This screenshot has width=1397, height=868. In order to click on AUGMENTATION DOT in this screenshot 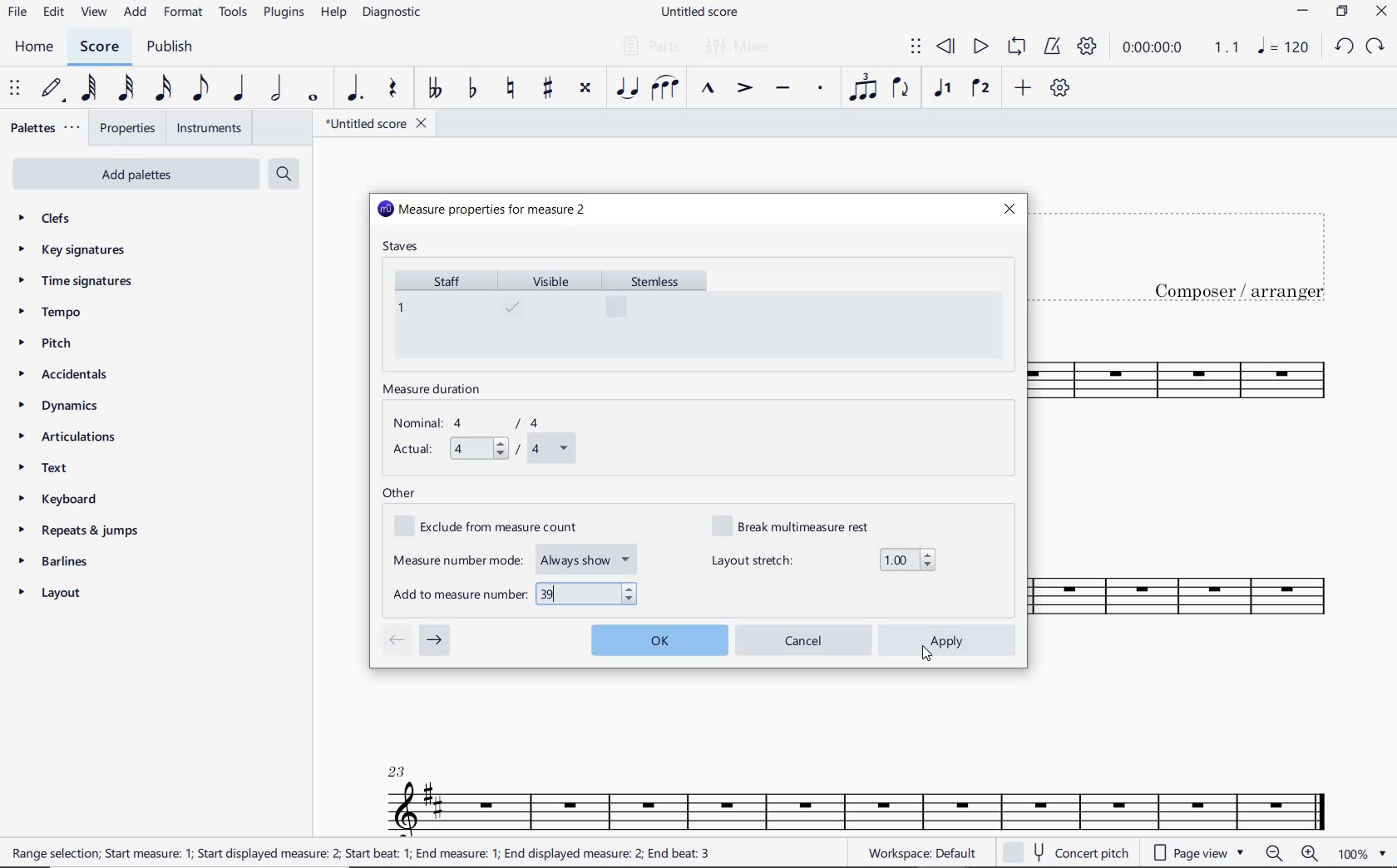, I will do `click(357, 89)`.